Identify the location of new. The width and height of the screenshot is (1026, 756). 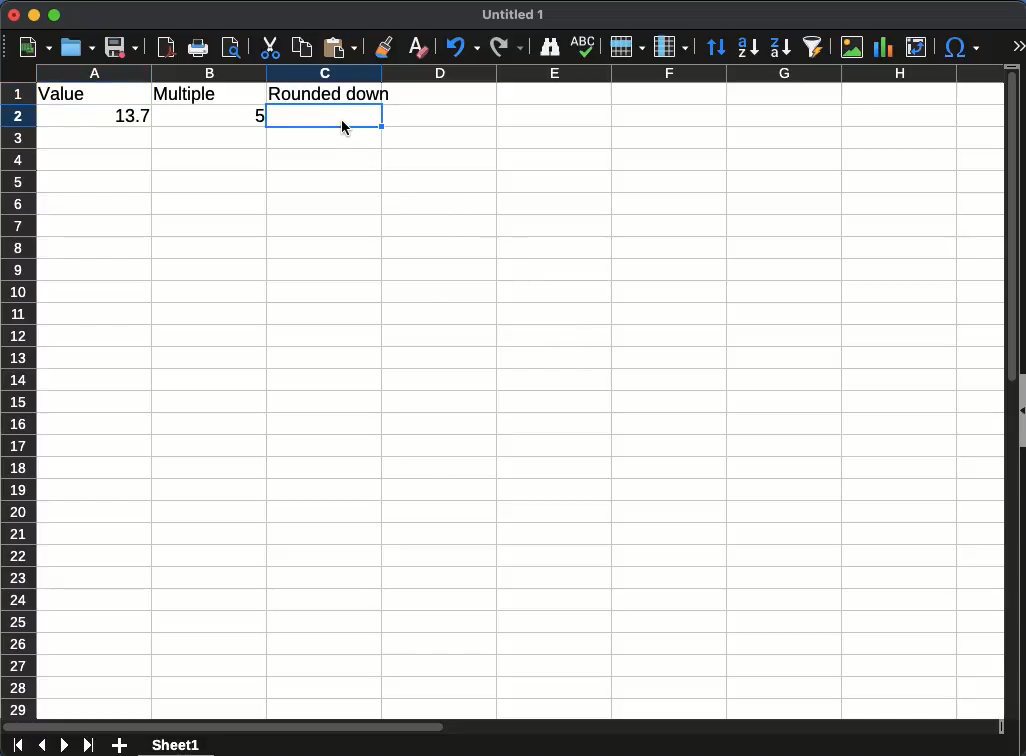
(35, 47).